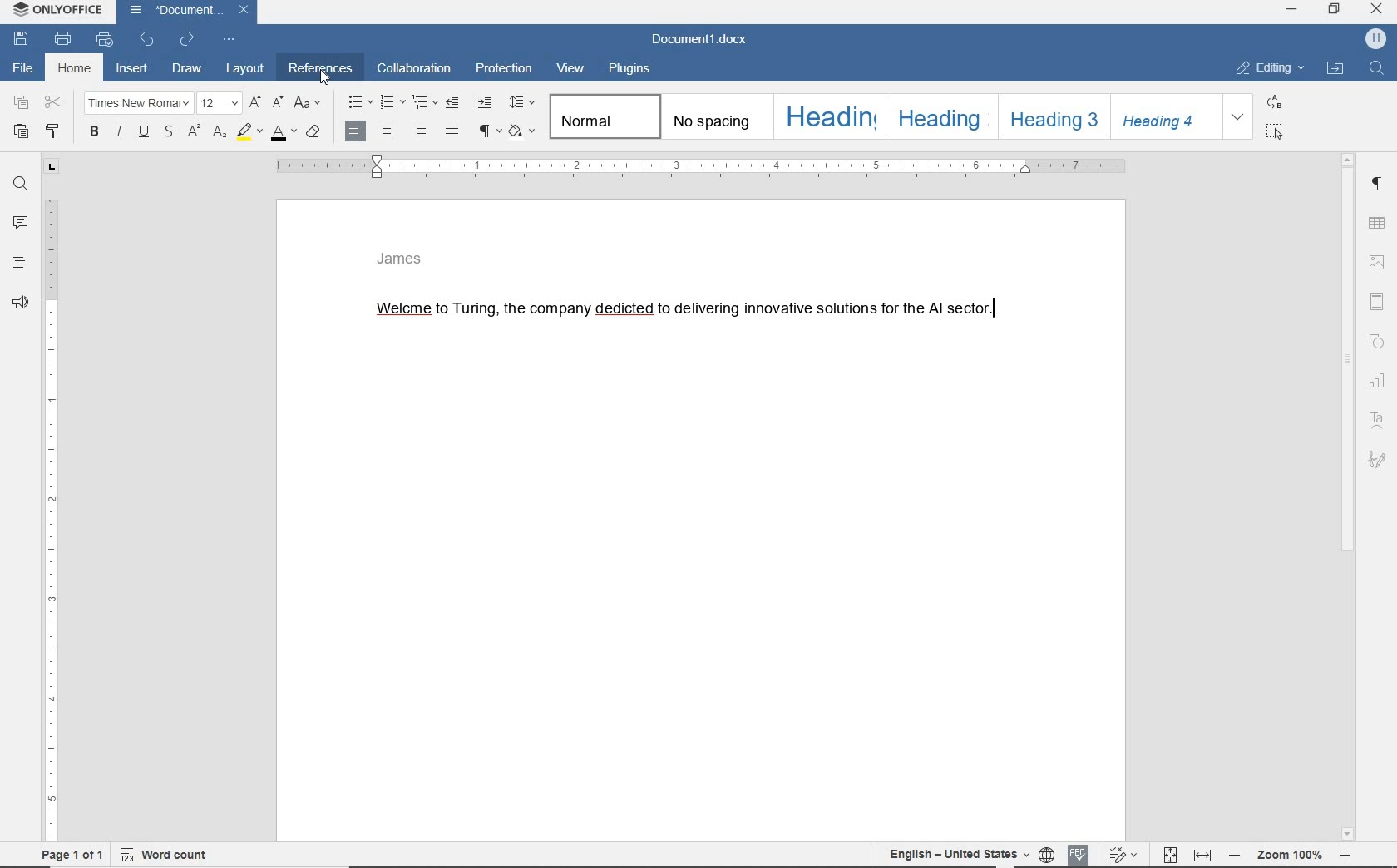 The width and height of the screenshot is (1397, 868). What do you see at coordinates (1376, 68) in the screenshot?
I see `FIND` at bounding box center [1376, 68].